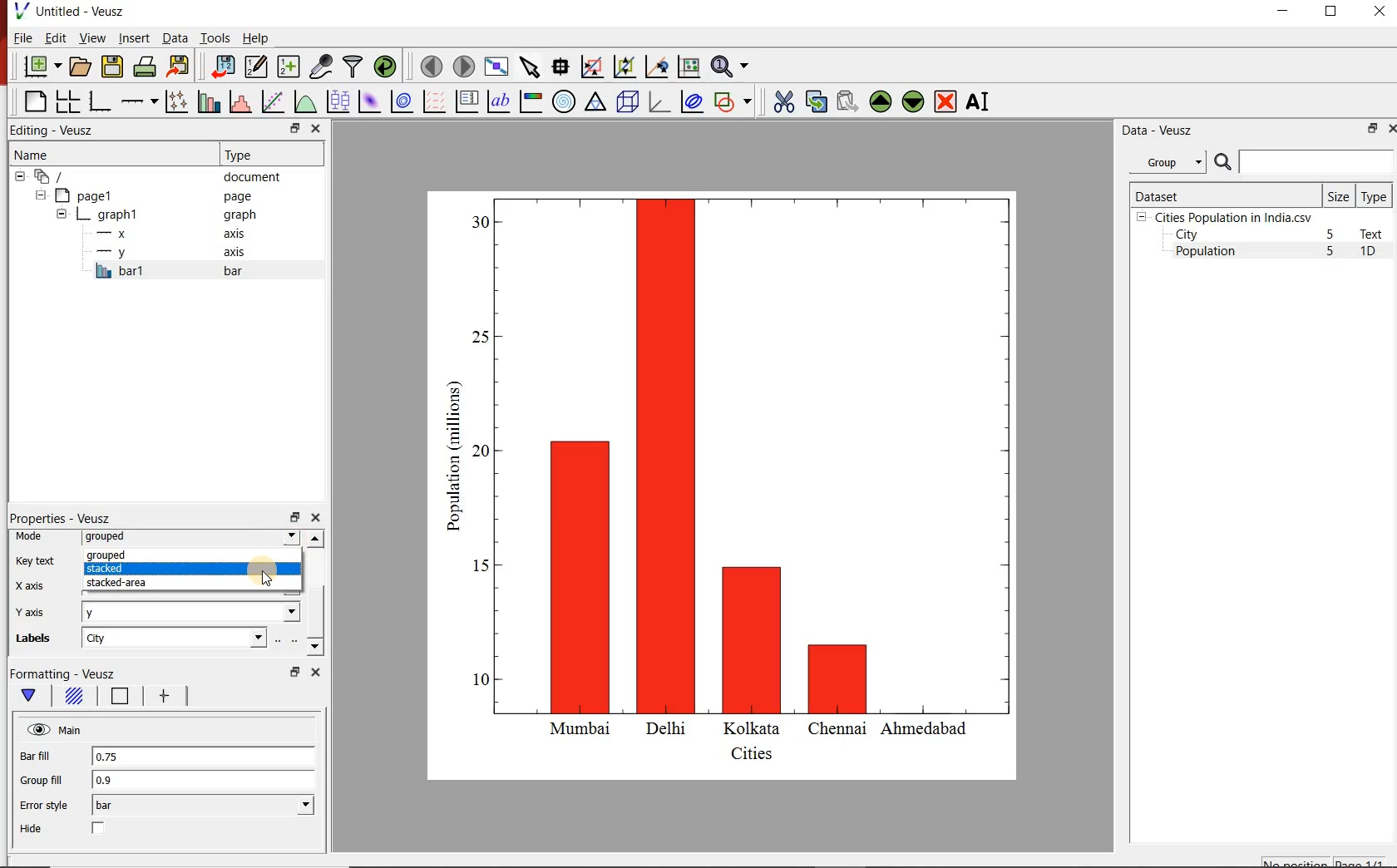 The height and width of the screenshot is (868, 1397). I want to click on stacked area, so click(151, 584).